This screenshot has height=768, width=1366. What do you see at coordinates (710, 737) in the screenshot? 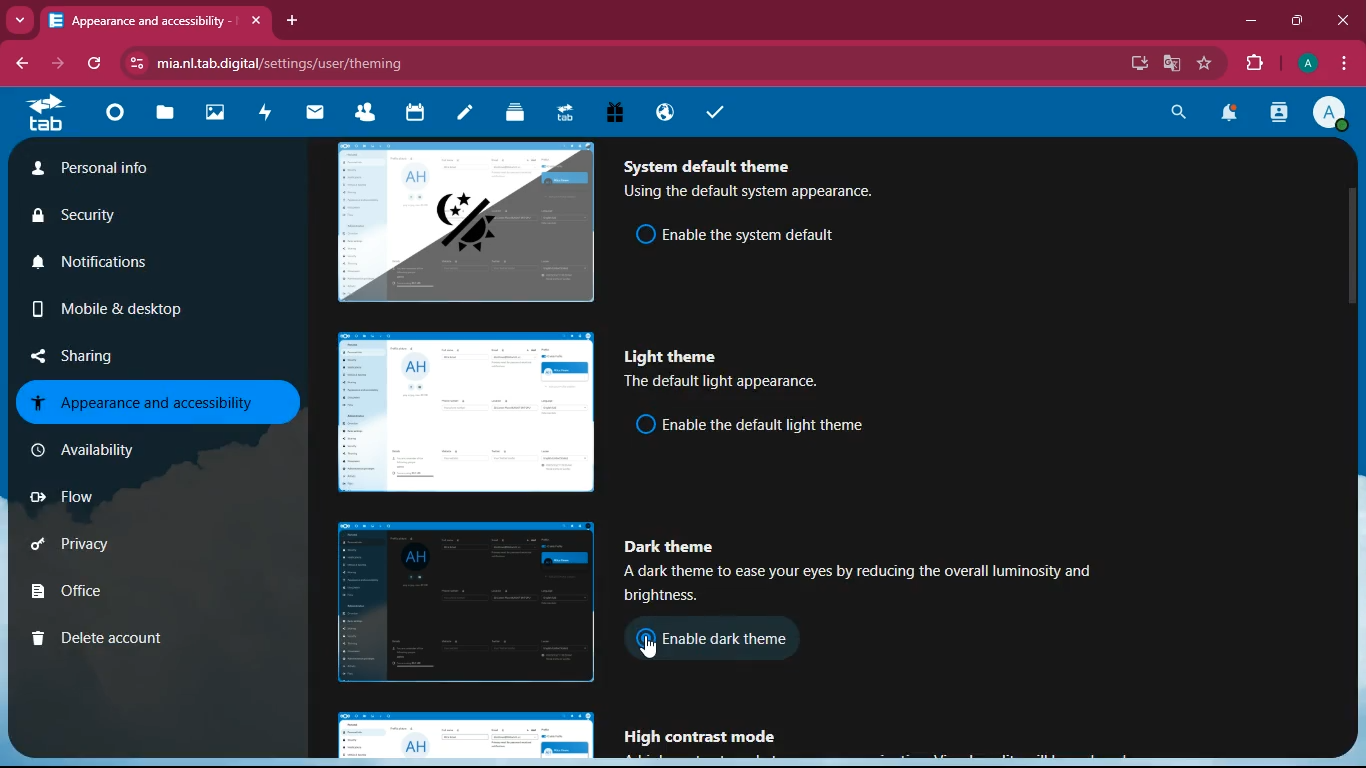
I see `high contrast` at bounding box center [710, 737].